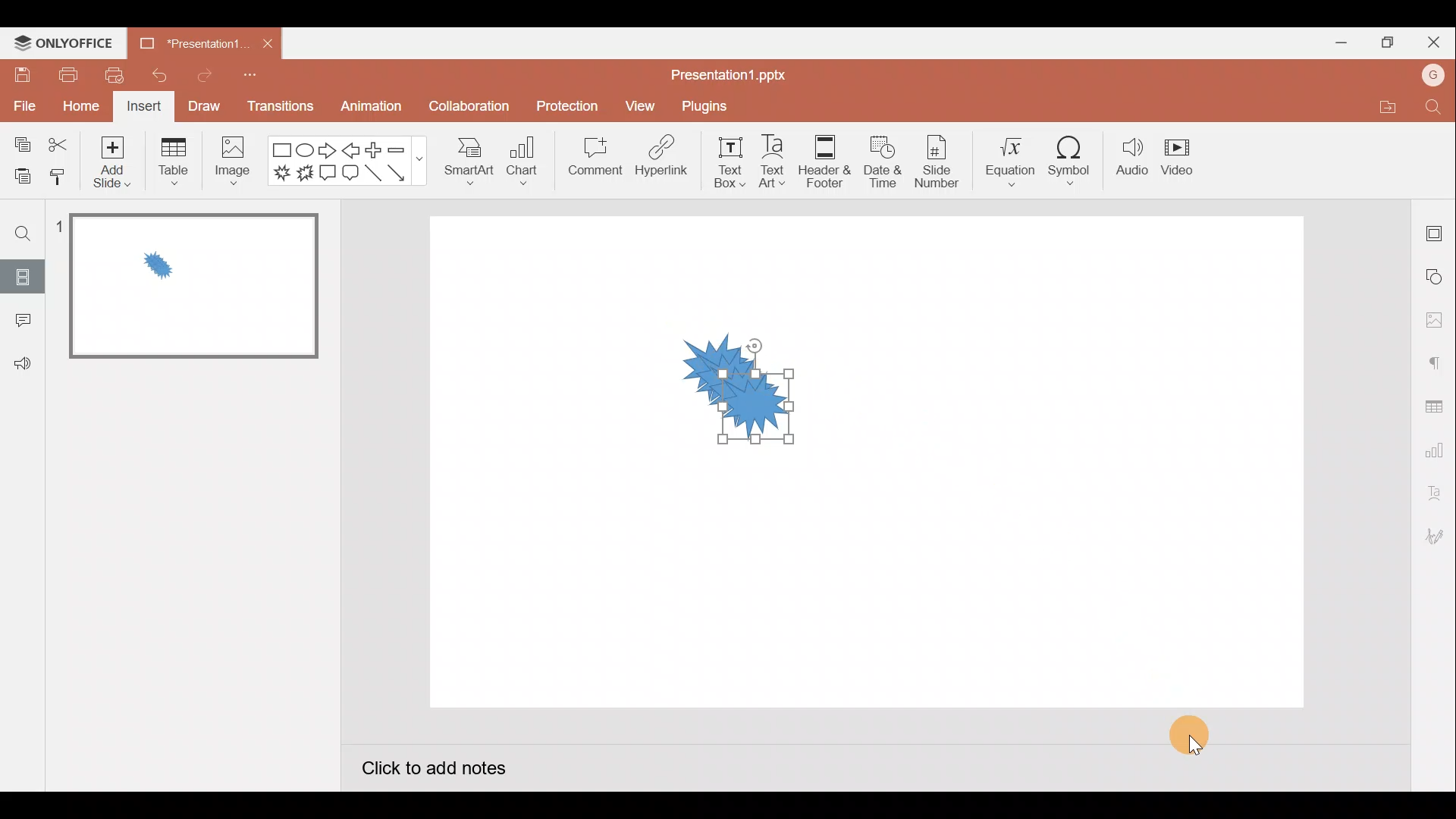  Describe the element at coordinates (1438, 108) in the screenshot. I see `Find` at that location.